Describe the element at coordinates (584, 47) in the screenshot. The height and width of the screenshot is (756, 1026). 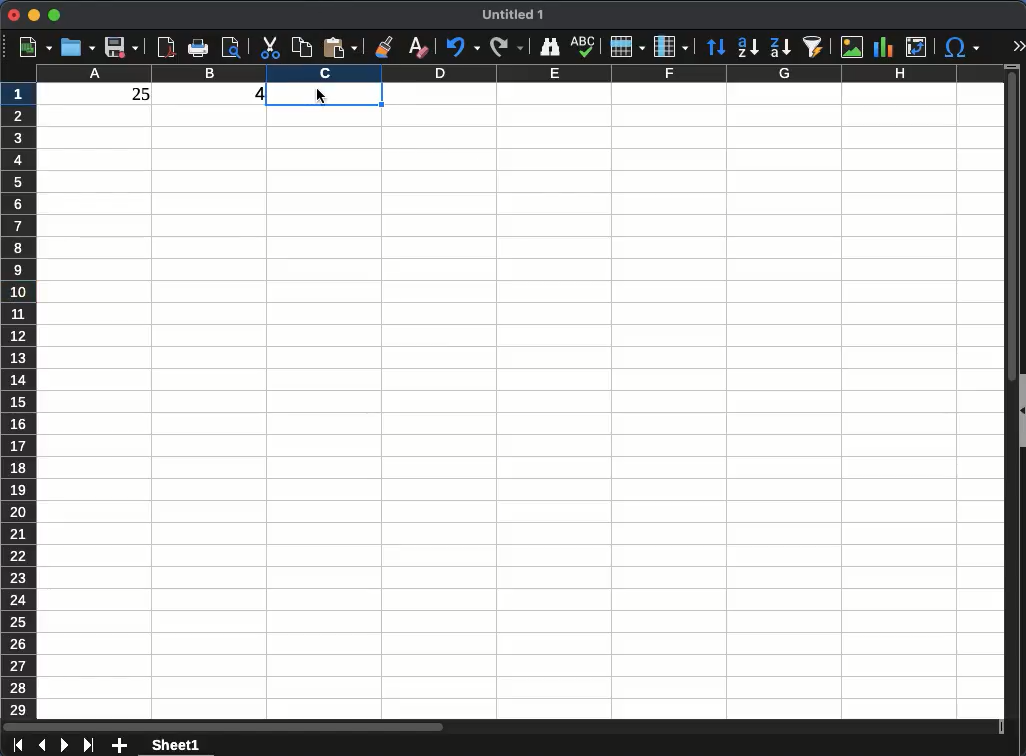
I see `spell check` at that location.